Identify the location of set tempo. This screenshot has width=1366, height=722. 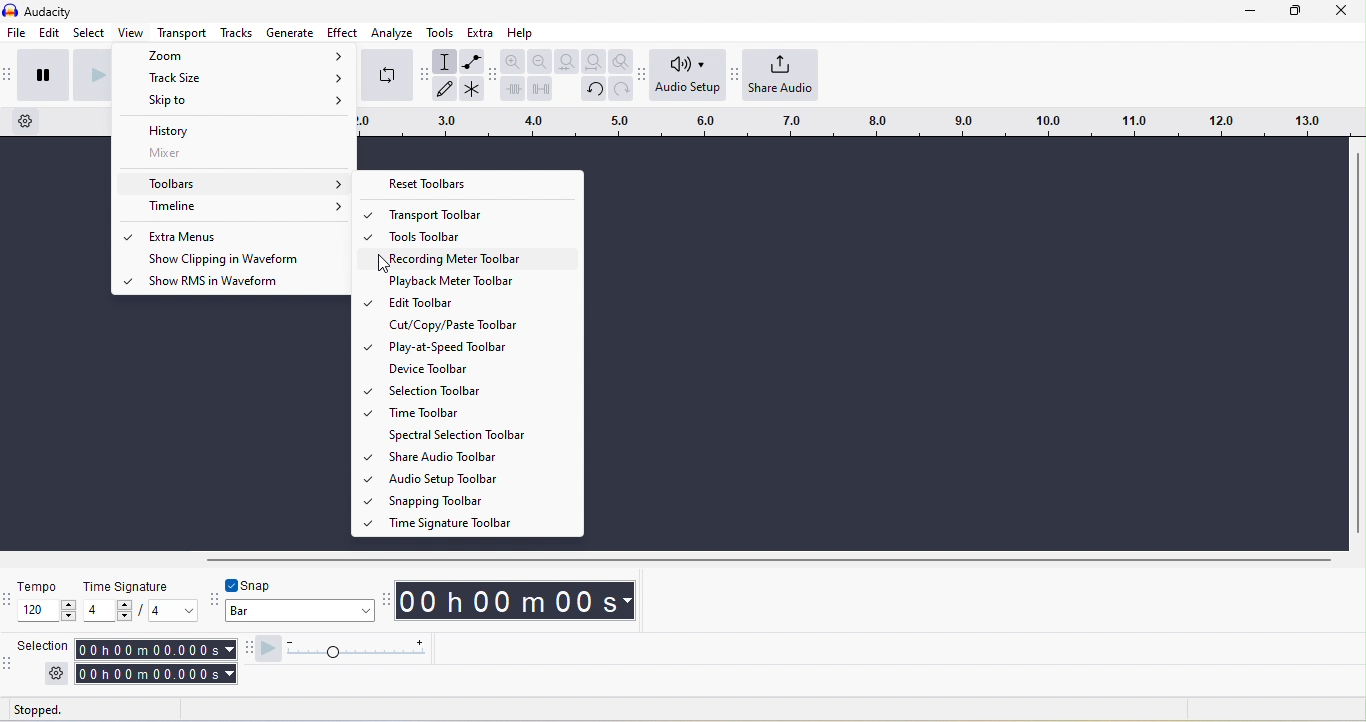
(46, 610).